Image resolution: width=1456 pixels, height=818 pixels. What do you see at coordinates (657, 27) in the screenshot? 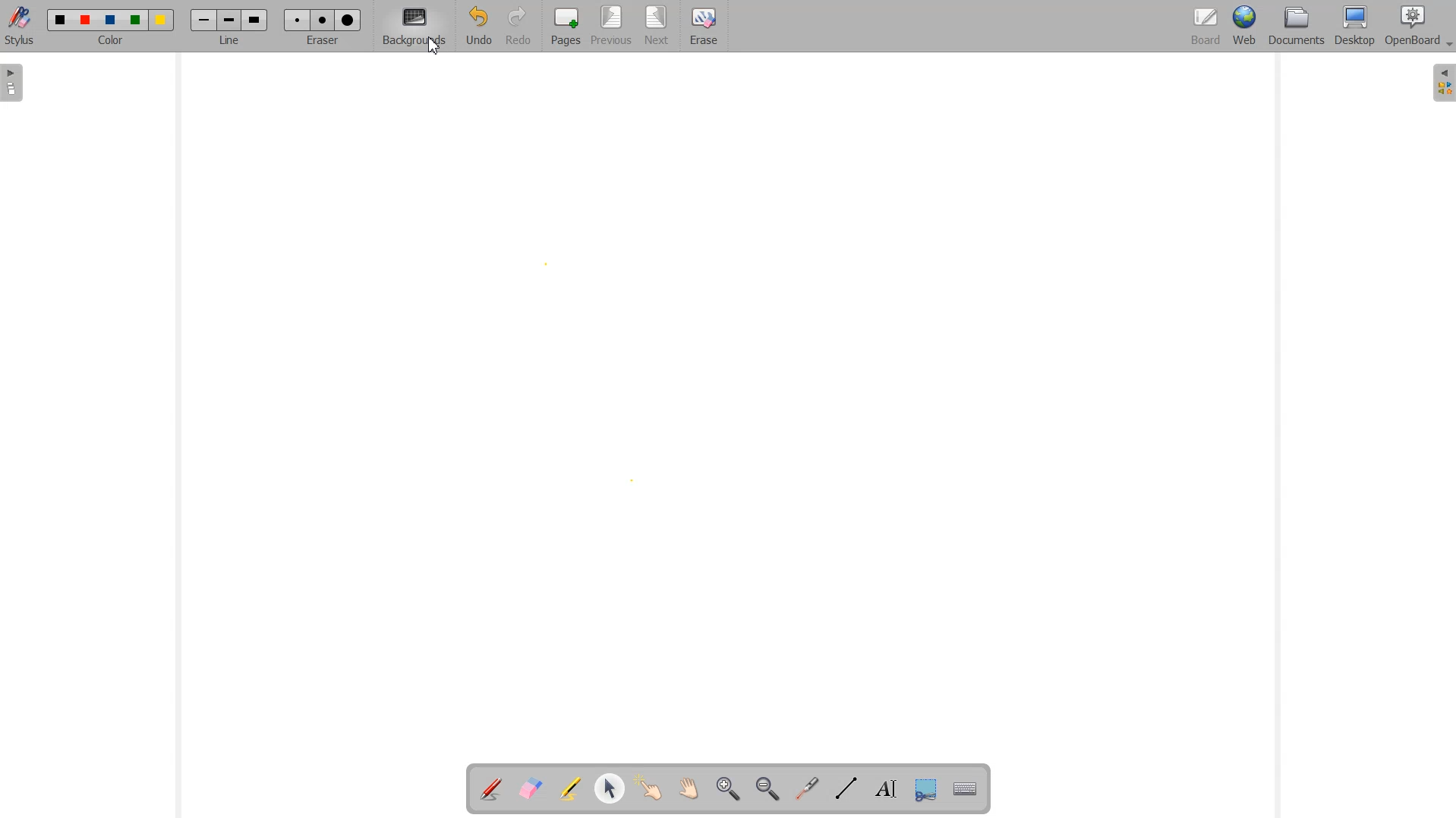
I see `Next` at bounding box center [657, 27].